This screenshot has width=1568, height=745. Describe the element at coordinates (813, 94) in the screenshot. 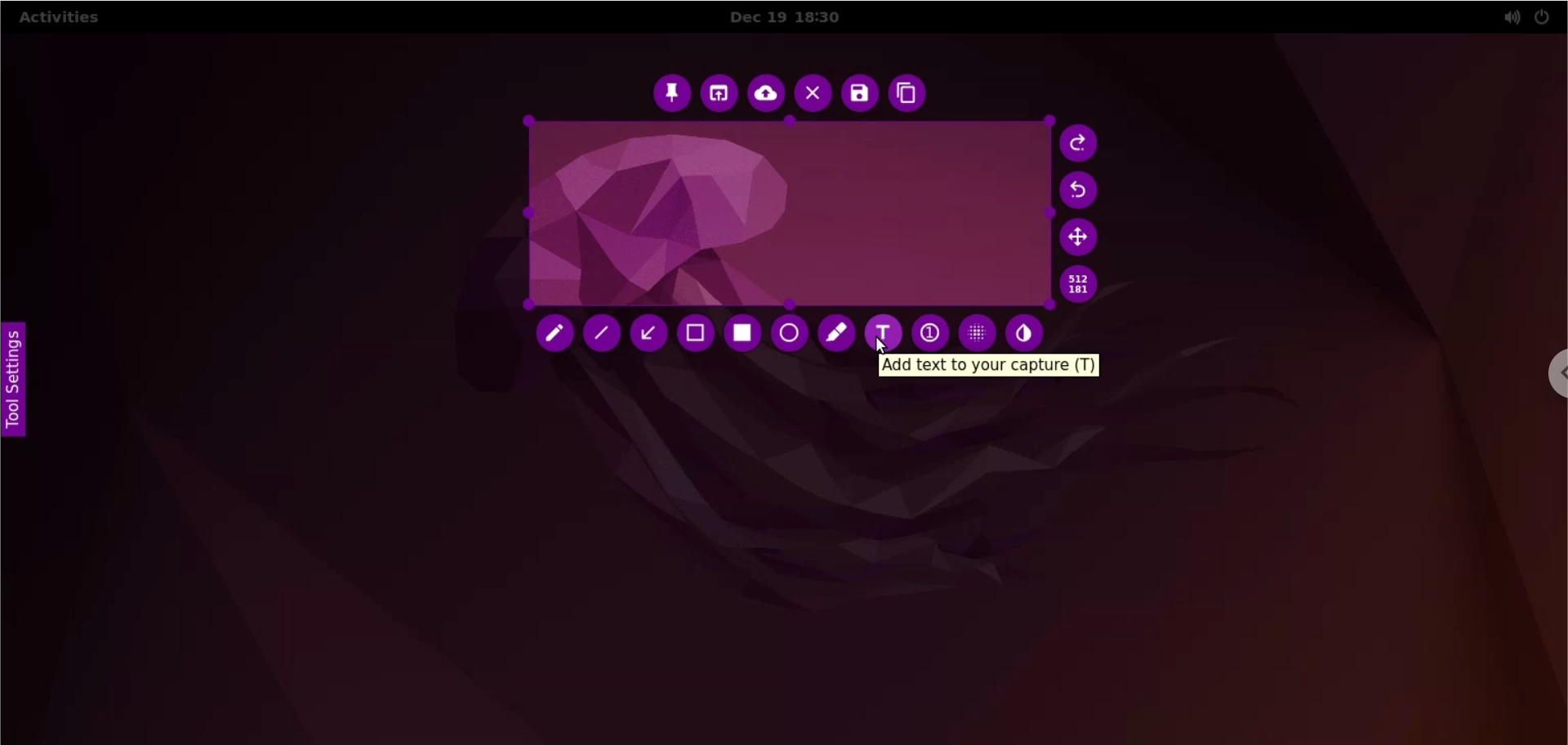

I see `close capture` at that location.